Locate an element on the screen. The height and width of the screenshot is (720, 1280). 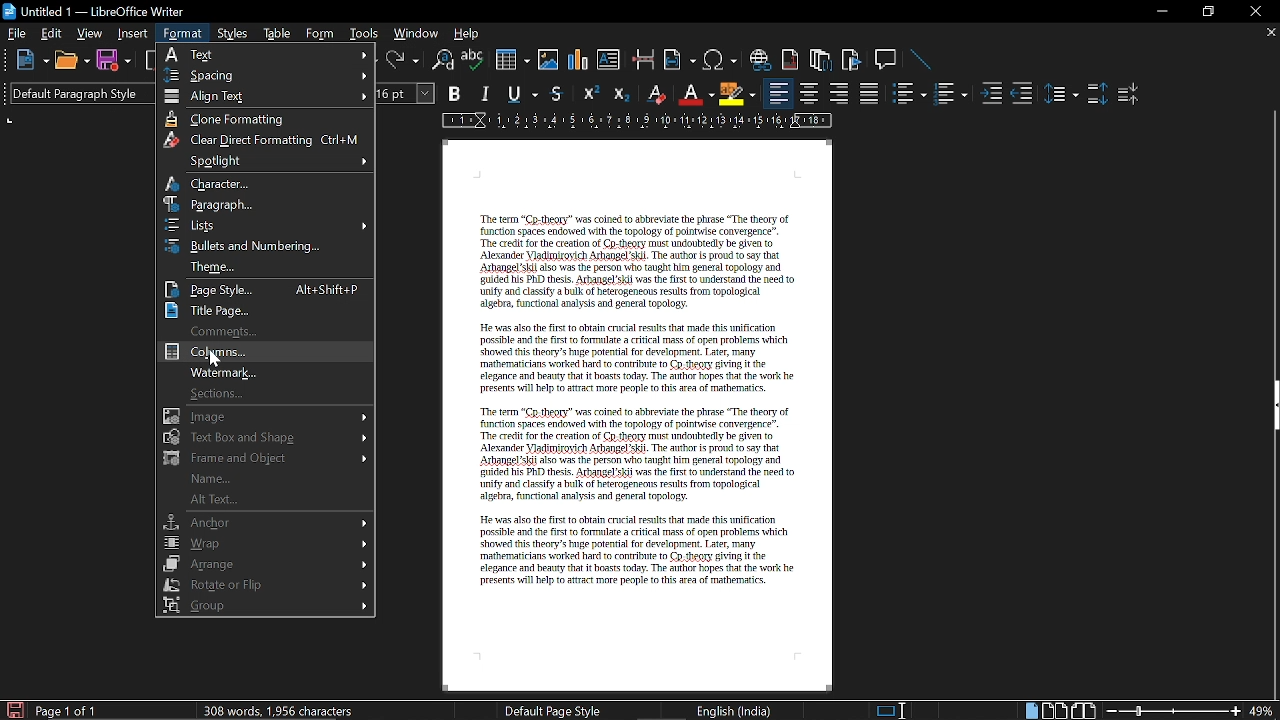
Increase indent is located at coordinates (994, 93).